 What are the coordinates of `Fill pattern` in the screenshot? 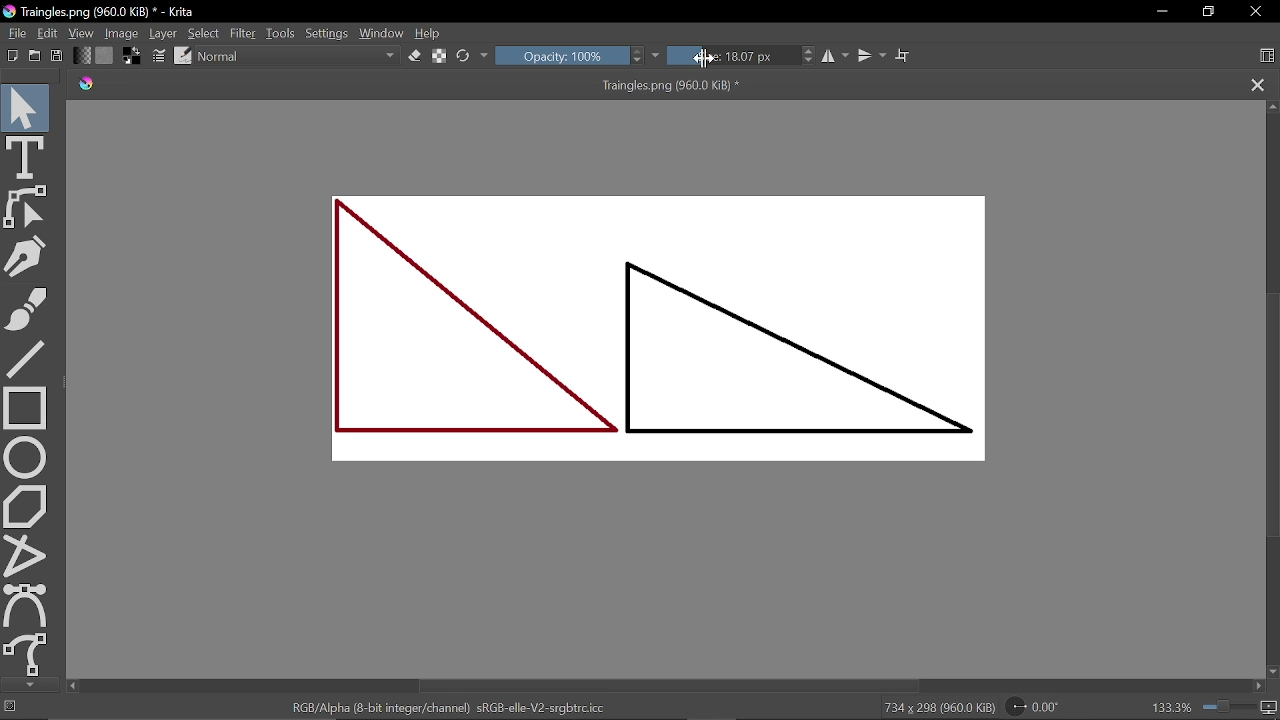 It's located at (104, 56).